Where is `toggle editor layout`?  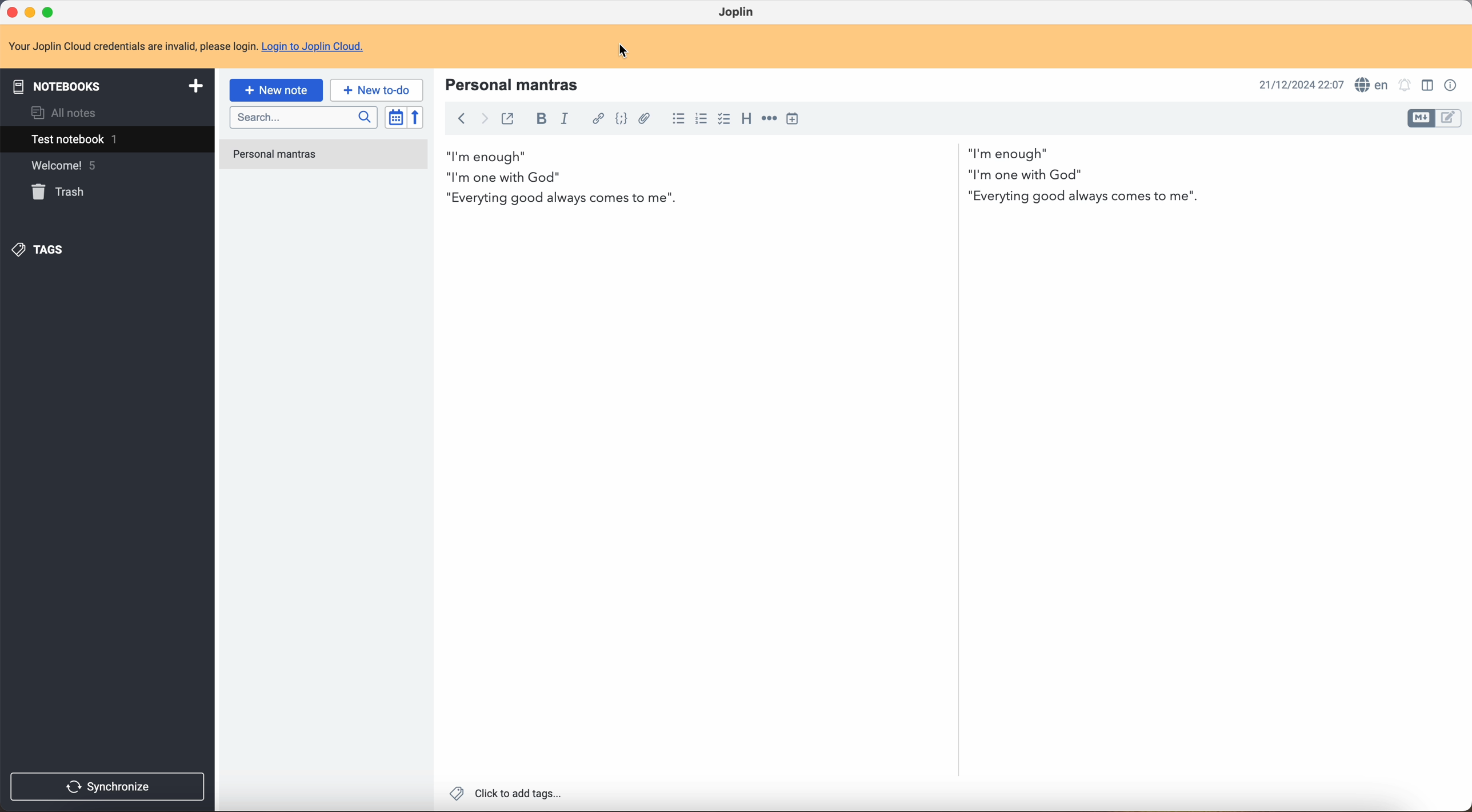
toggle editor layout is located at coordinates (1430, 85).